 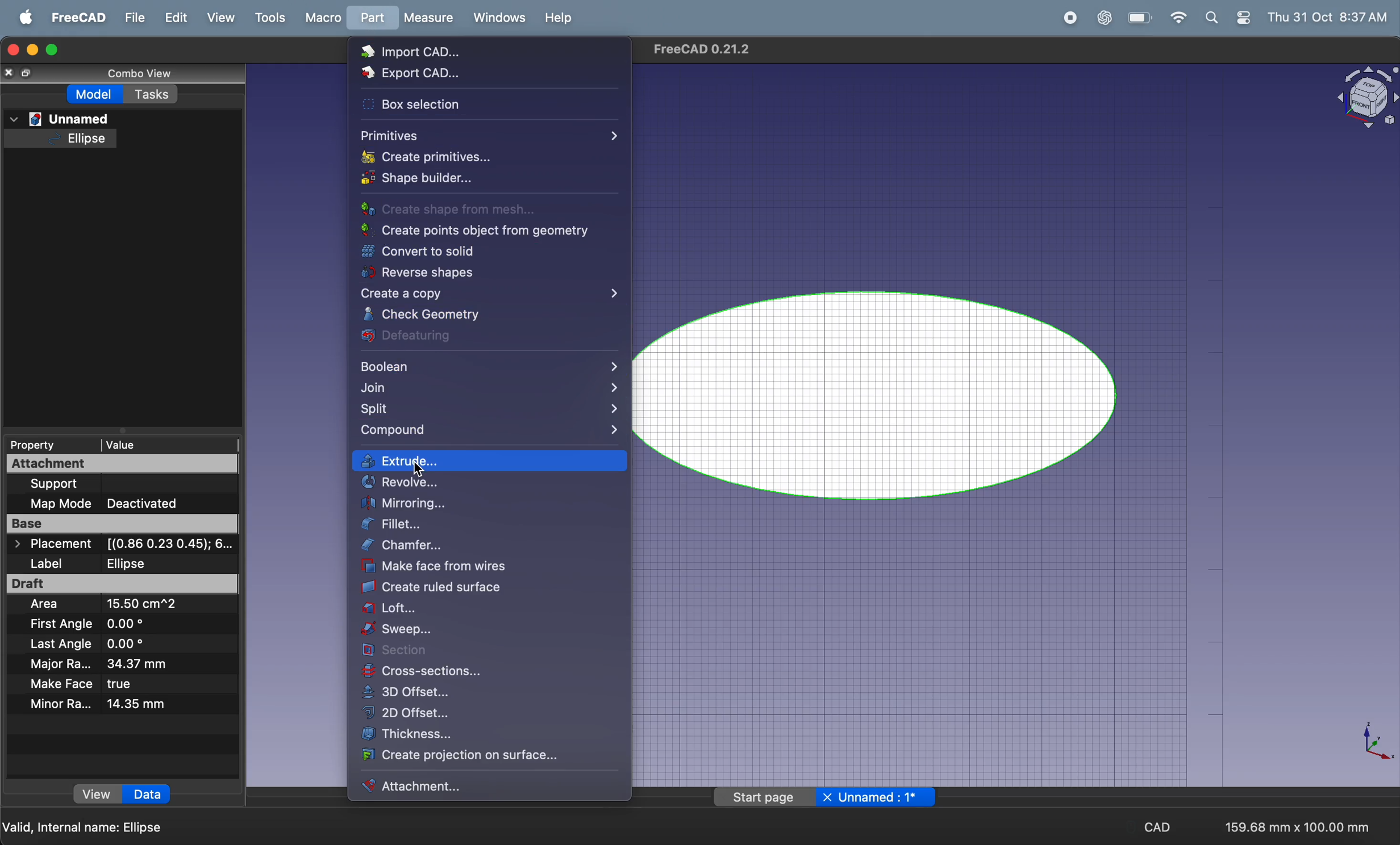 What do you see at coordinates (466, 608) in the screenshot?
I see `loft` at bounding box center [466, 608].